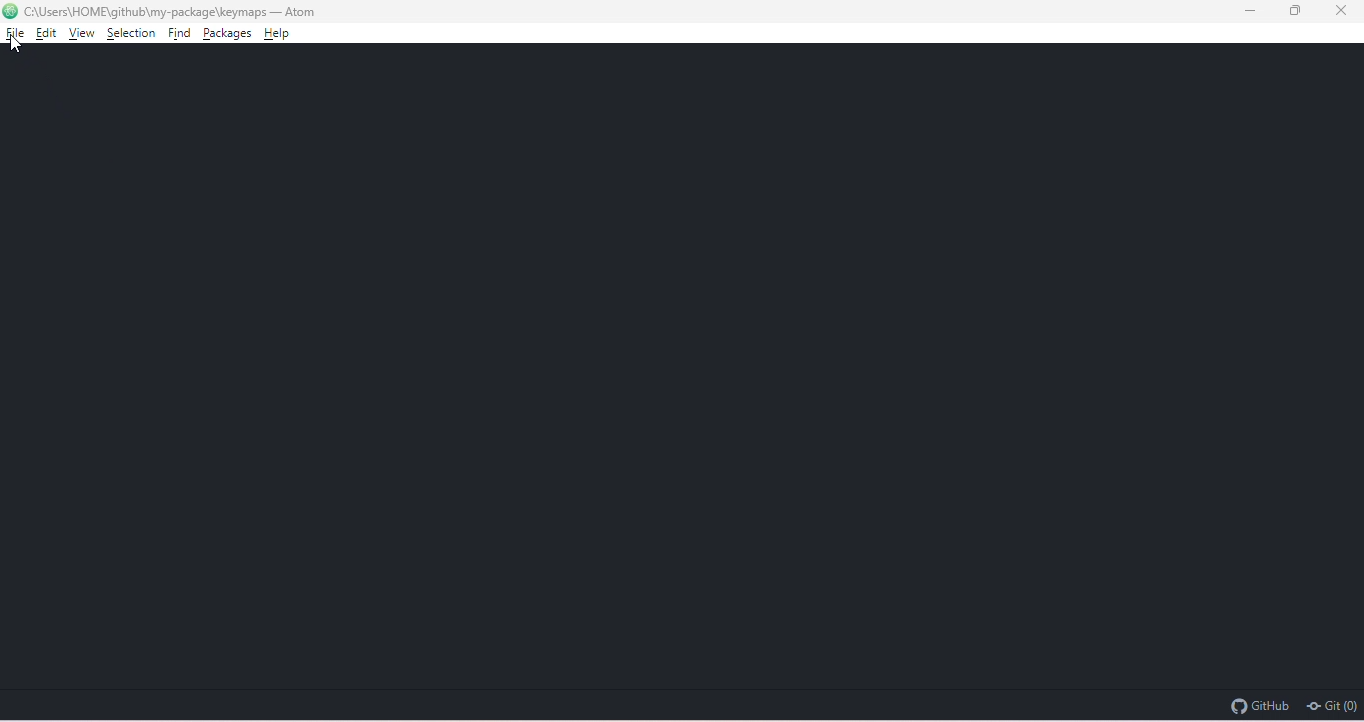  I want to click on view, so click(84, 32).